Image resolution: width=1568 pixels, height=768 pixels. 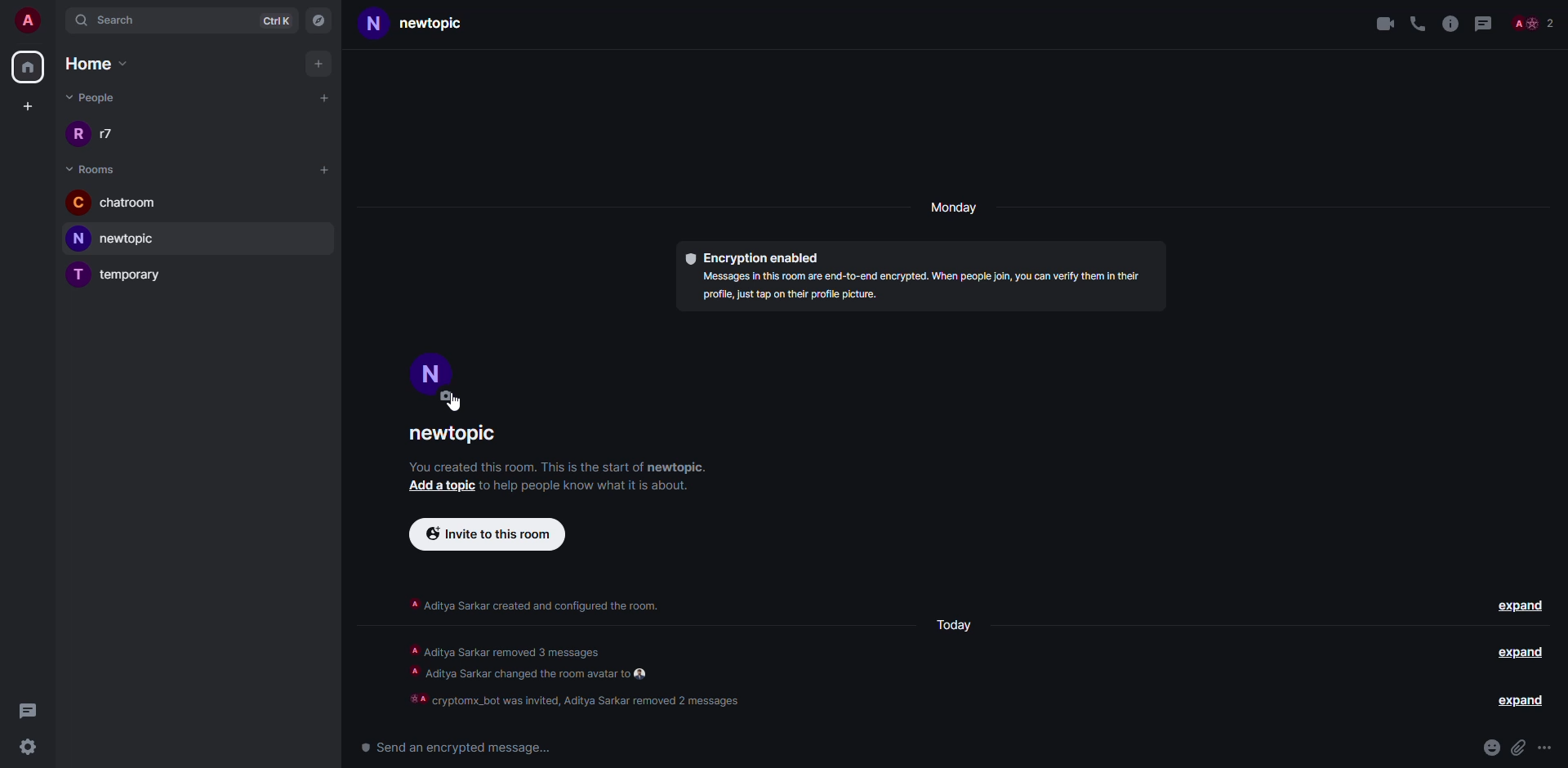 I want to click on add a topic, so click(x=434, y=487).